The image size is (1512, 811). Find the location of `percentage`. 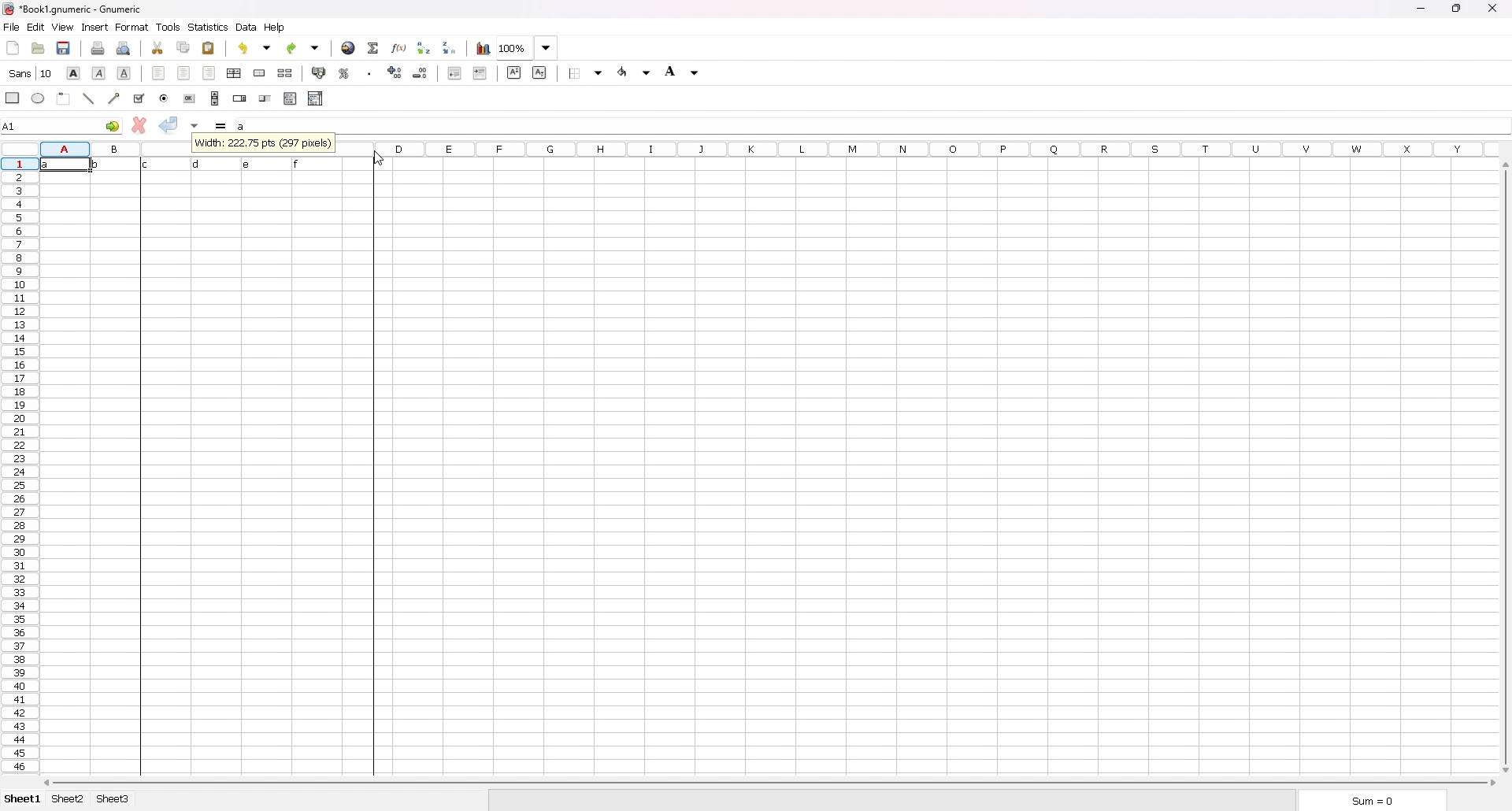

percentage is located at coordinates (344, 72).